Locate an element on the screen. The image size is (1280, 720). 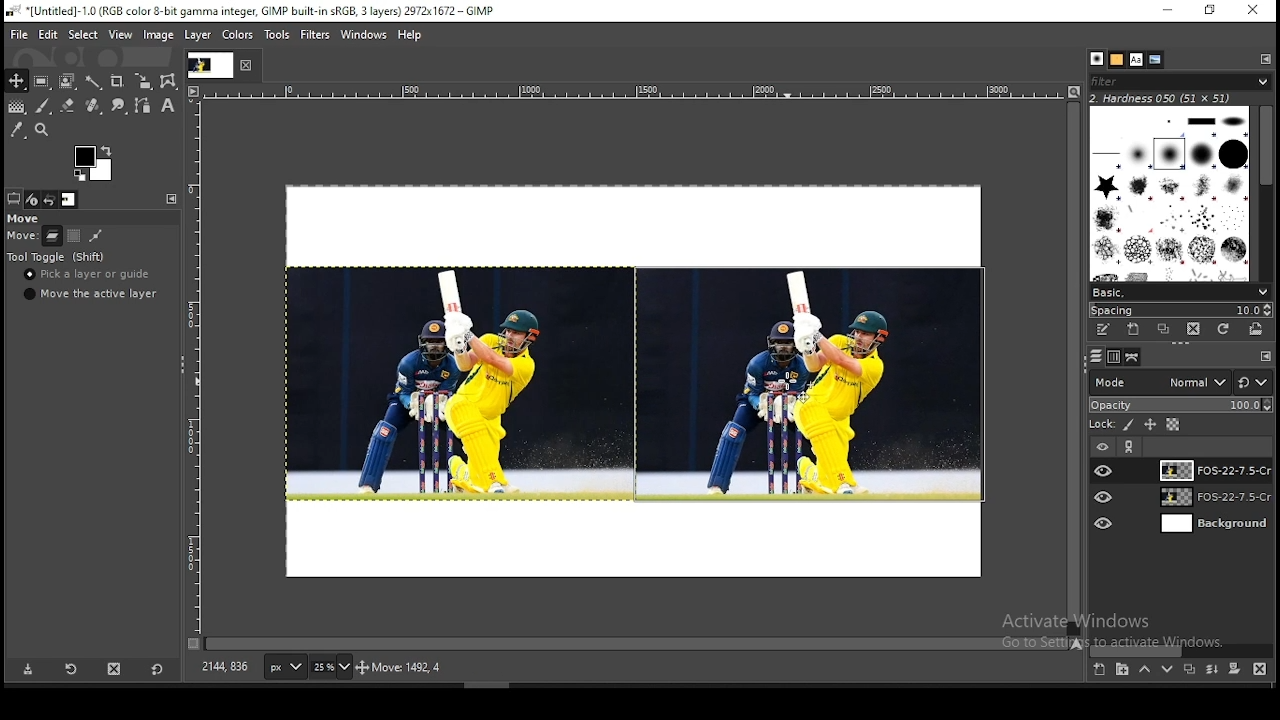
tools is located at coordinates (280, 35).